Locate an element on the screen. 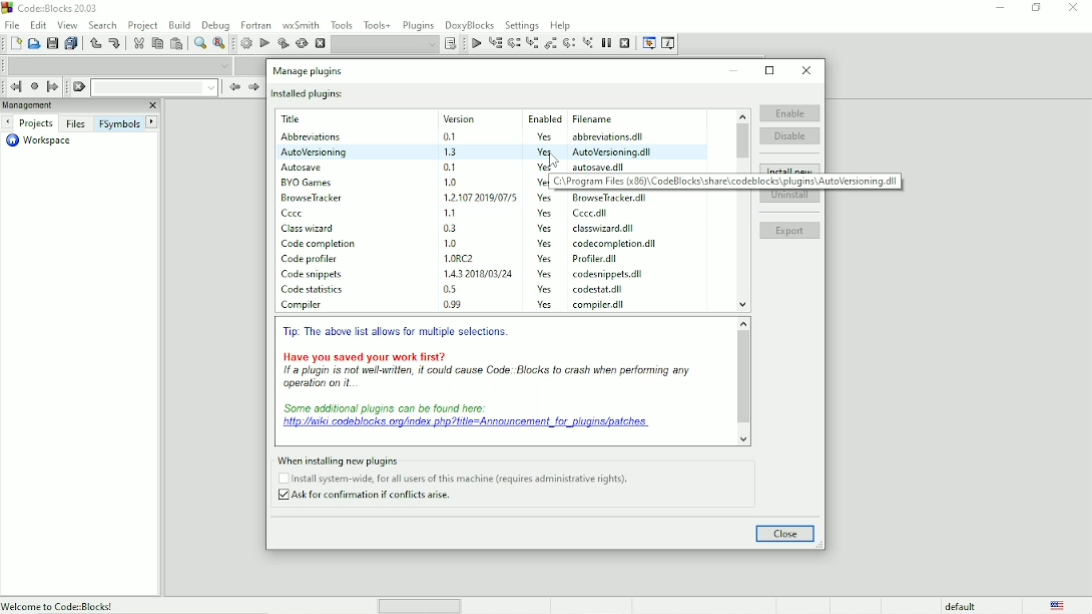 This screenshot has width=1092, height=614. Default is located at coordinates (950, 606).